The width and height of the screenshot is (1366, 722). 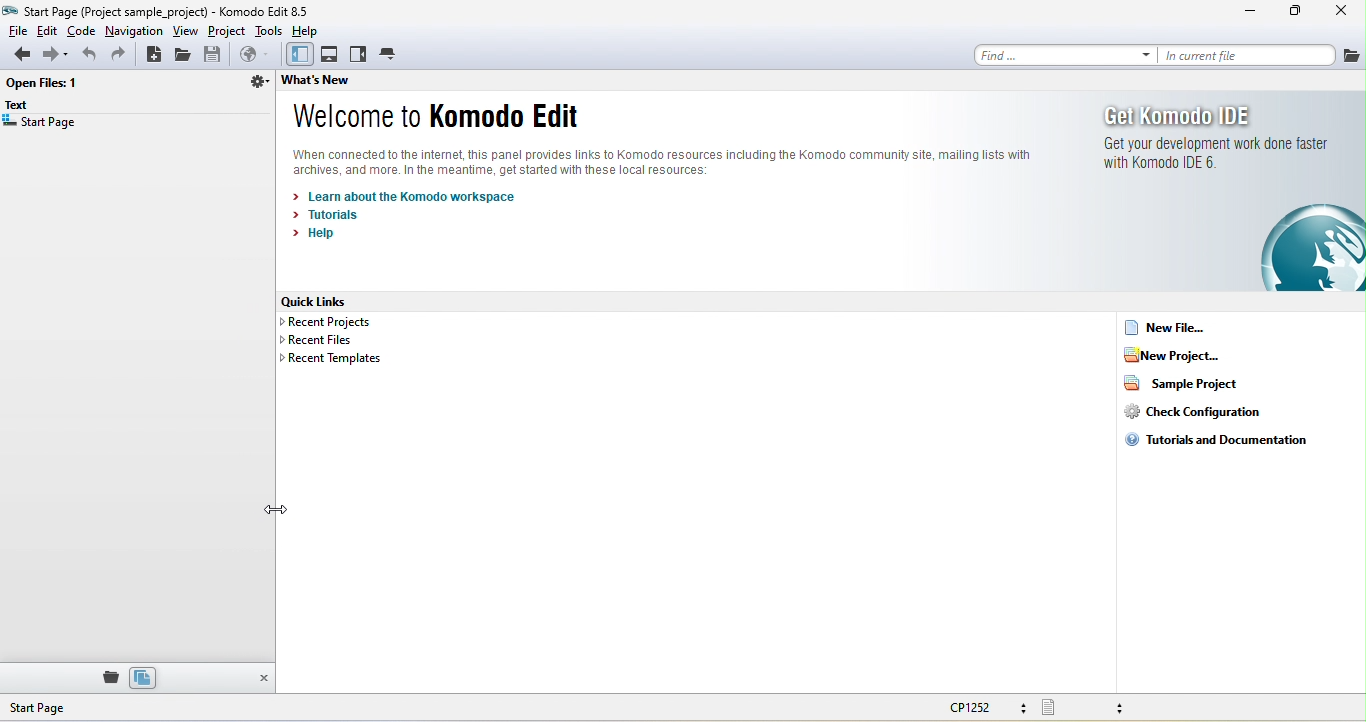 What do you see at coordinates (1337, 13) in the screenshot?
I see `close` at bounding box center [1337, 13].